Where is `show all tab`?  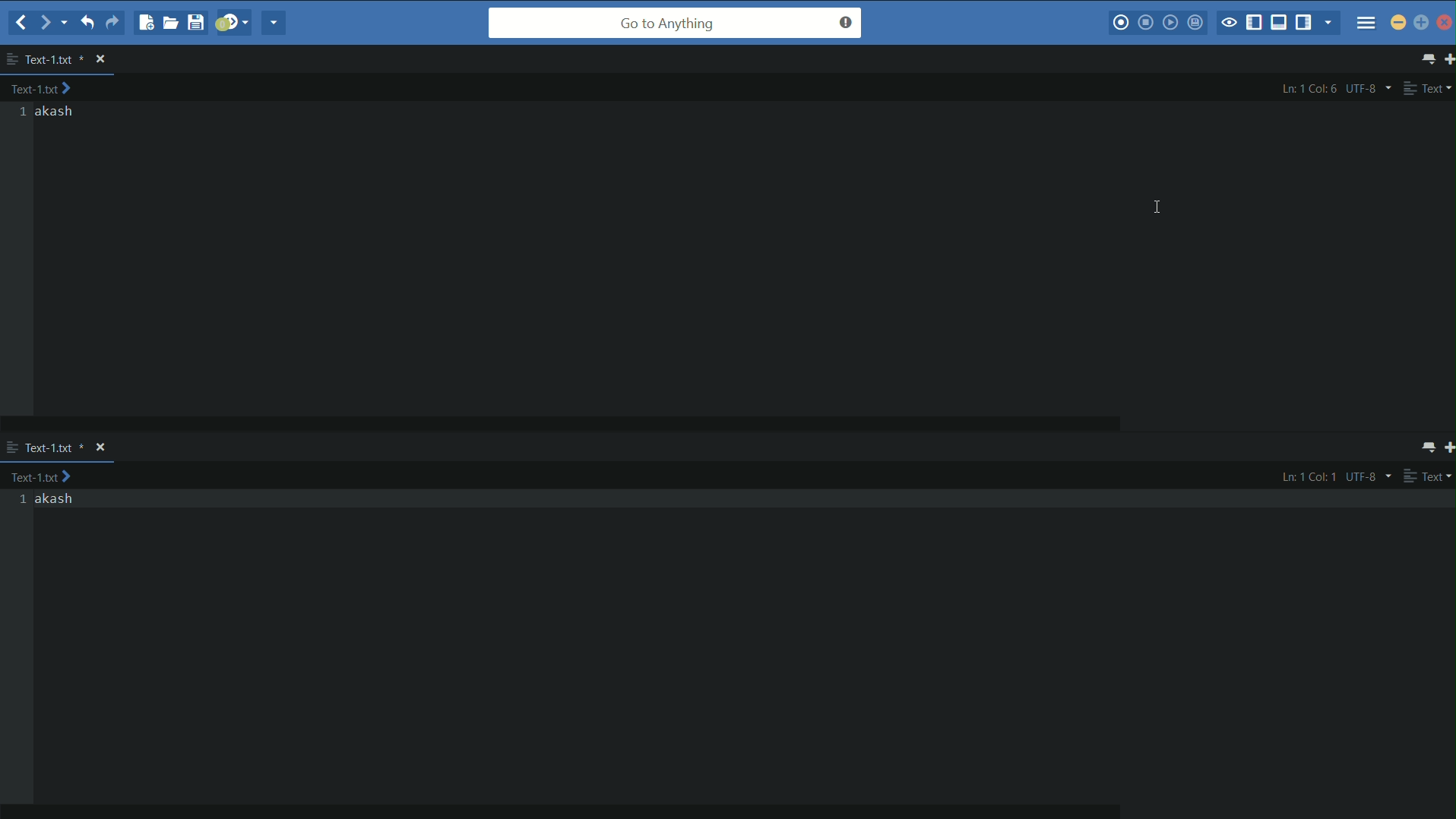
show all tab is located at coordinates (1426, 58).